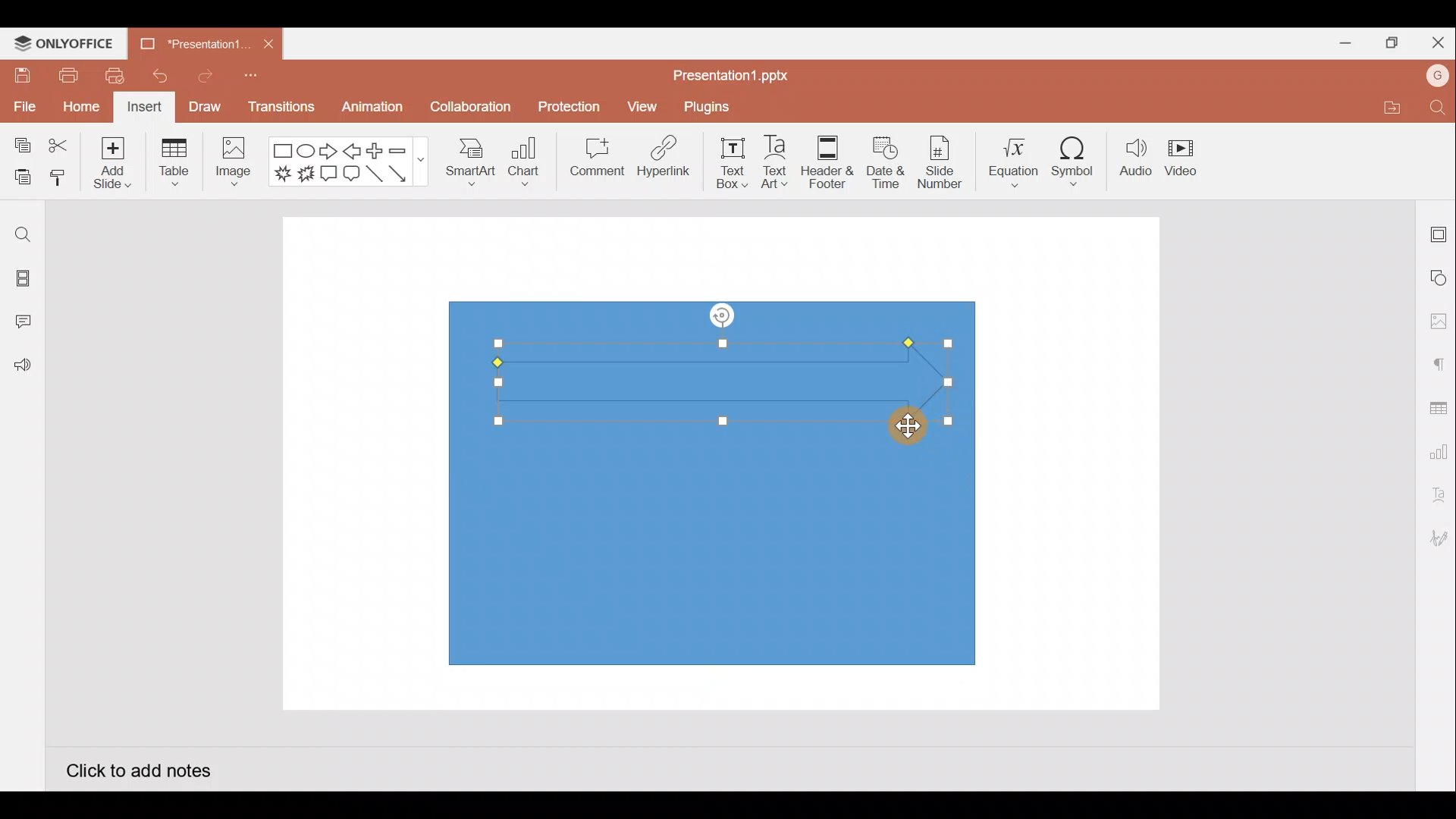 The width and height of the screenshot is (1456, 819). Describe the element at coordinates (1435, 39) in the screenshot. I see `Close` at that location.